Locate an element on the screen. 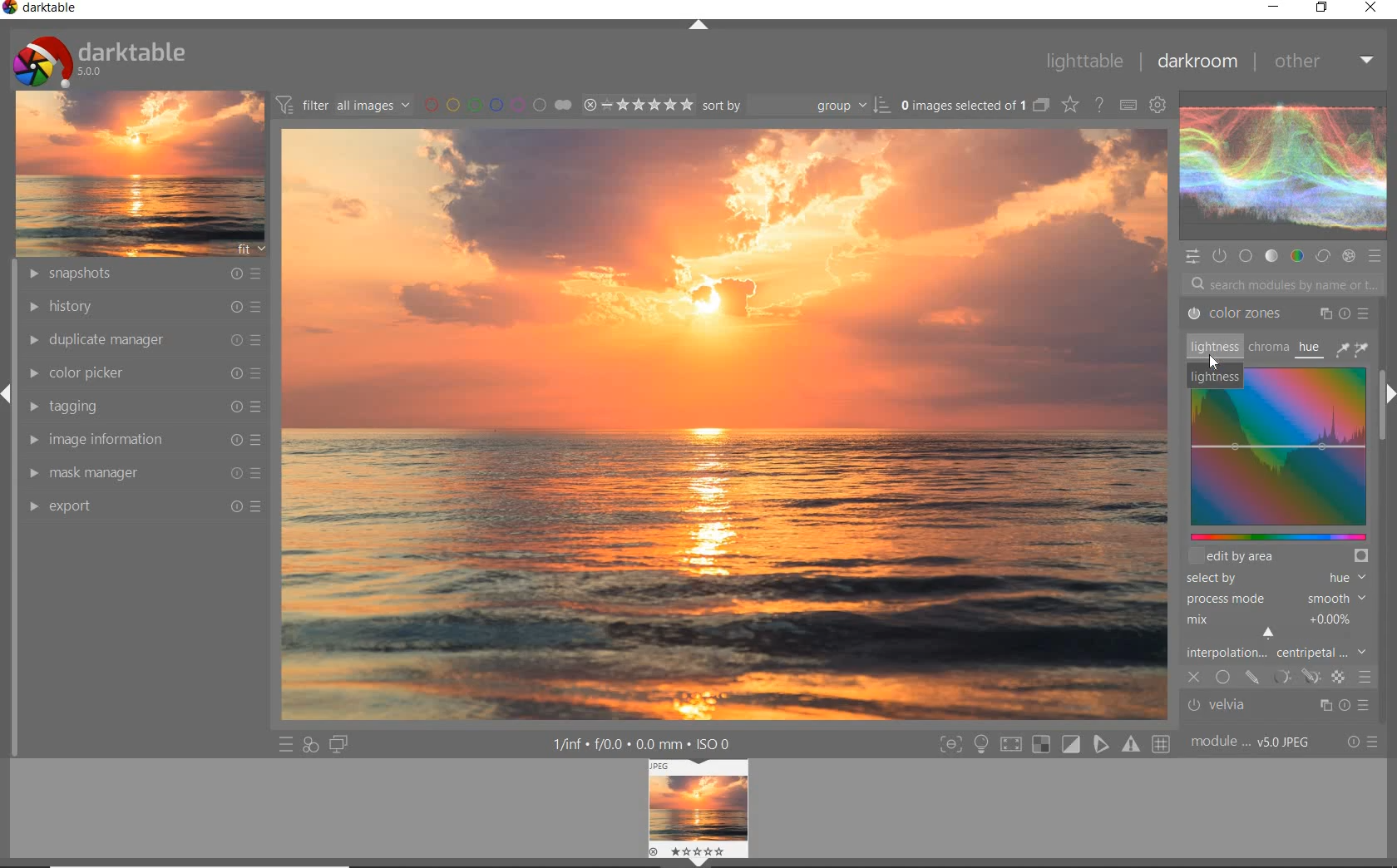 This screenshot has height=868, width=1397. restore is located at coordinates (1321, 8).